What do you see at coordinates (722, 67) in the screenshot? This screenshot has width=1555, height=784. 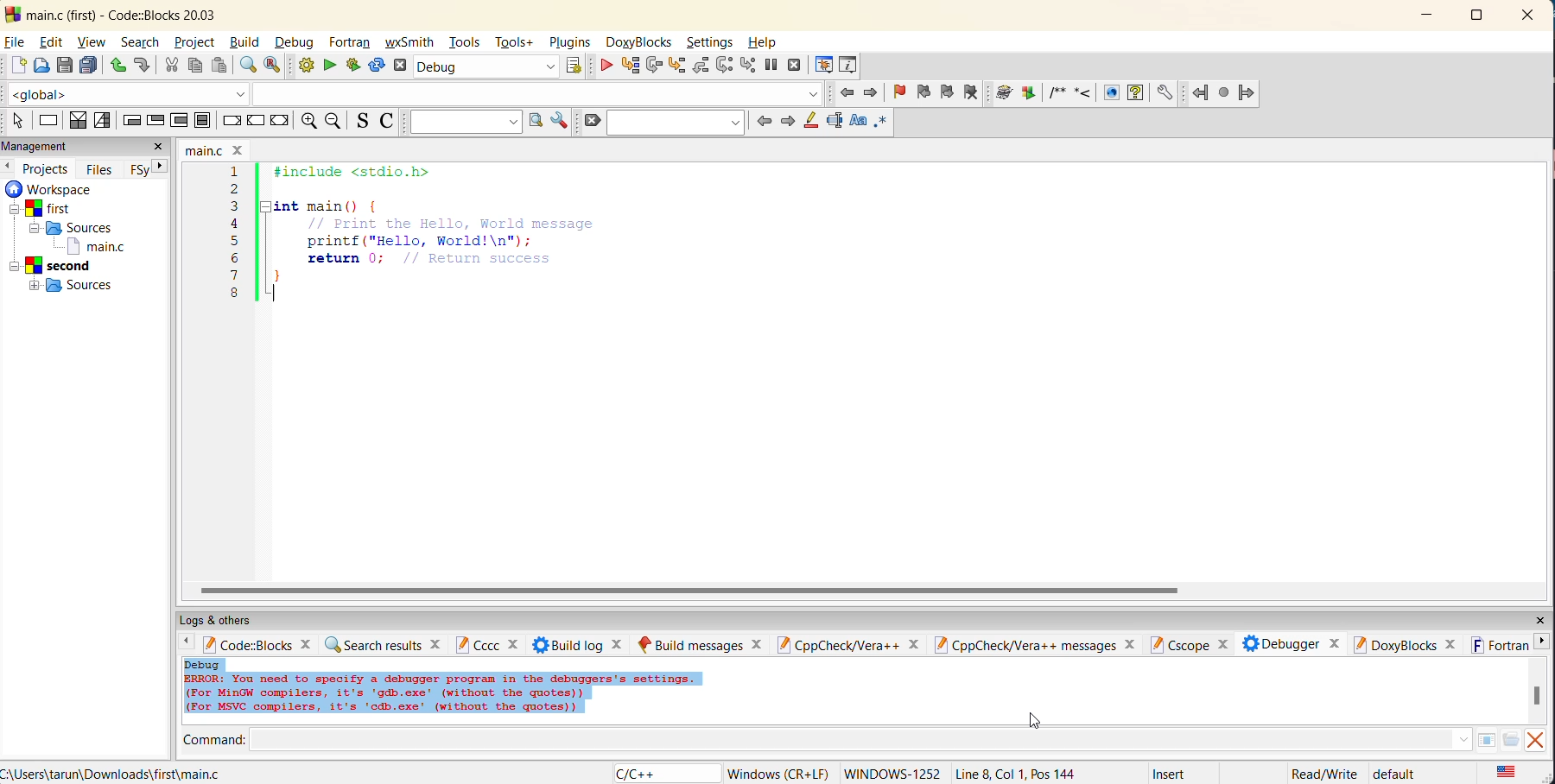 I see `next instruction` at bounding box center [722, 67].